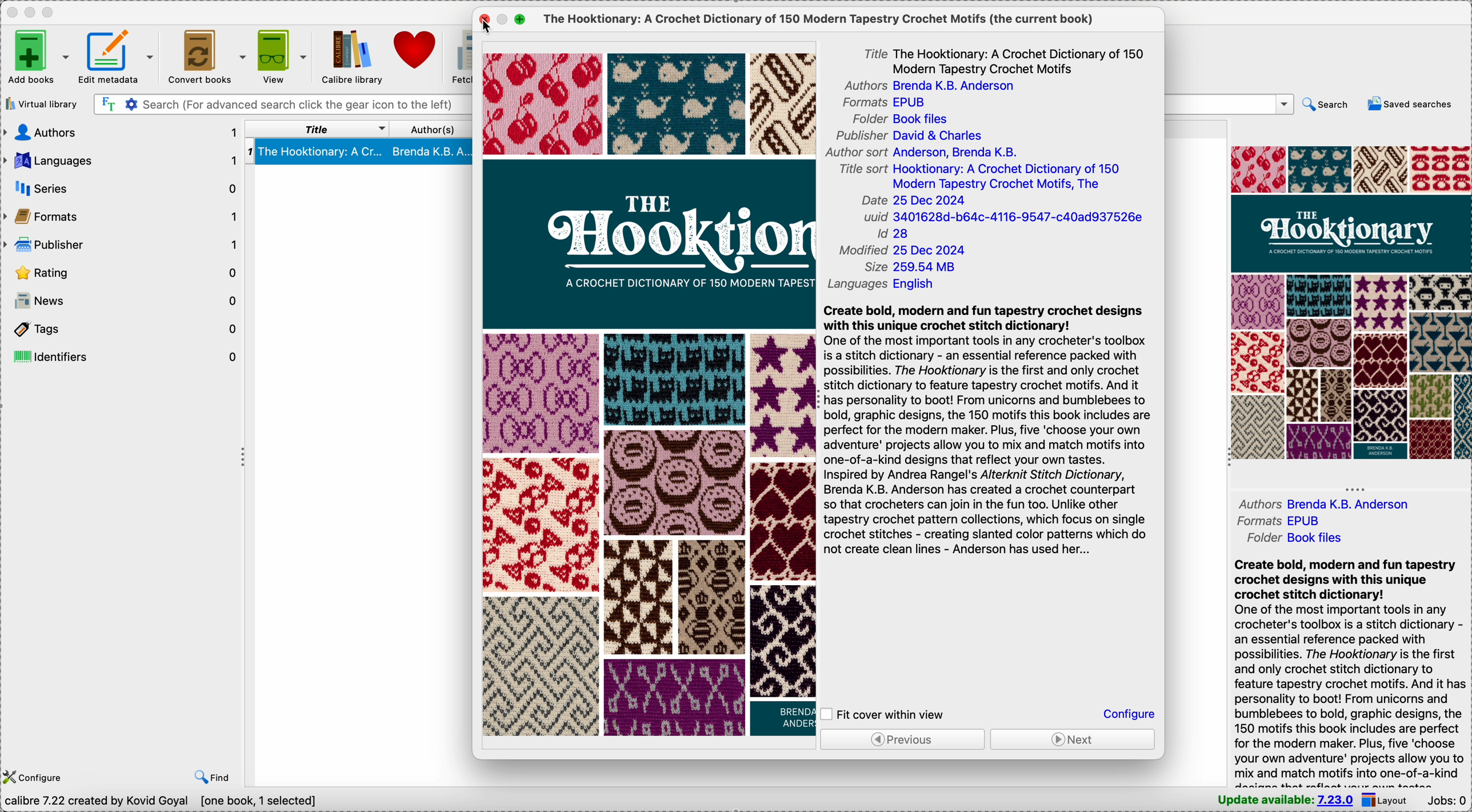 The width and height of the screenshot is (1472, 812). What do you see at coordinates (486, 21) in the screenshot?
I see `click on close popup` at bounding box center [486, 21].